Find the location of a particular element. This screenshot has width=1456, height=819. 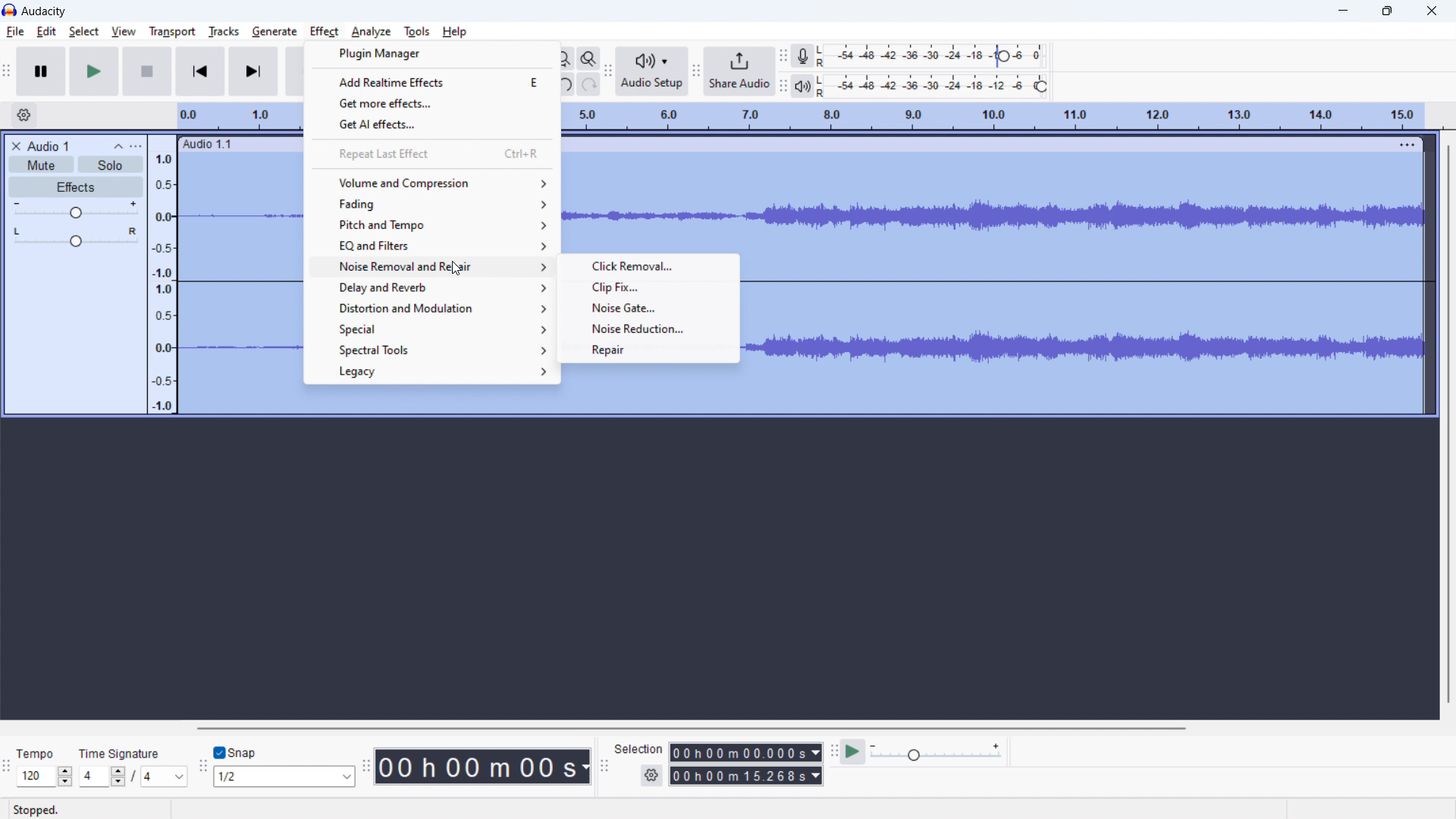

vertical scrollbar is located at coordinates (1450, 424).